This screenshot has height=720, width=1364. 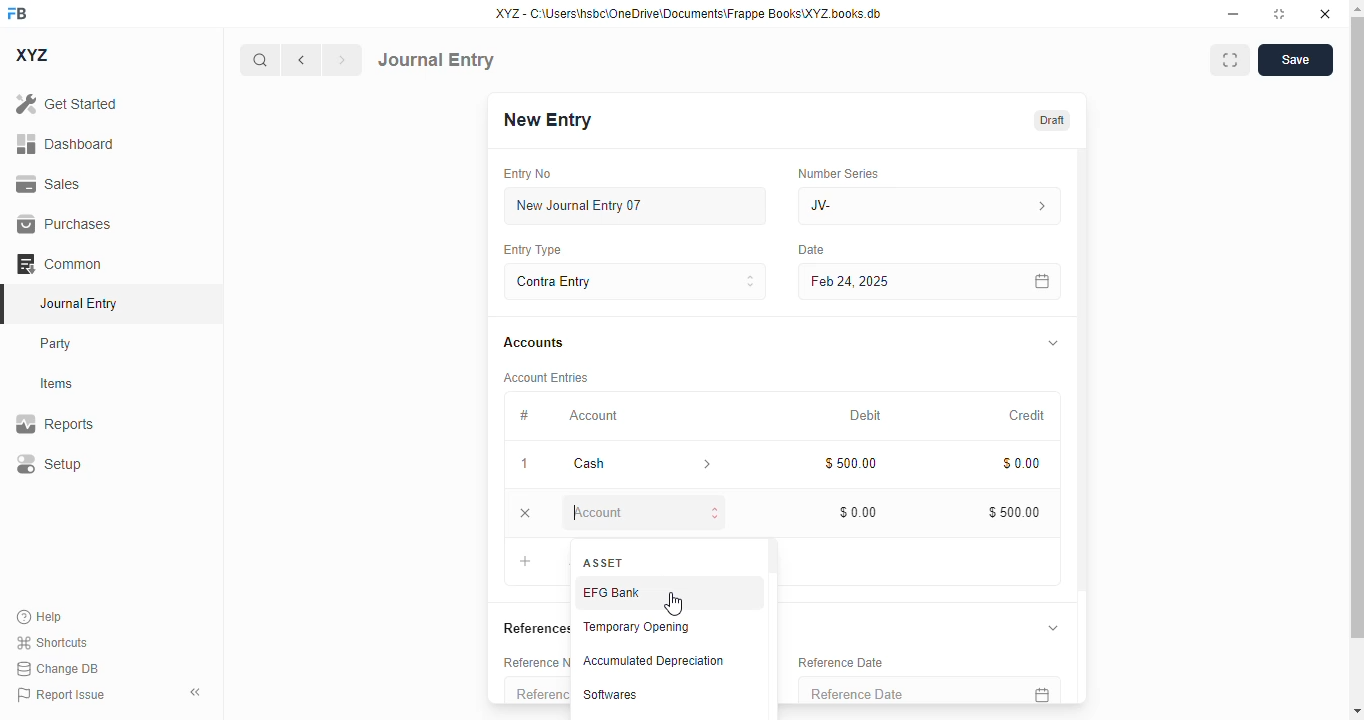 What do you see at coordinates (853, 464) in the screenshot?
I see `$500.00 ` at bounding box center [853, 464].